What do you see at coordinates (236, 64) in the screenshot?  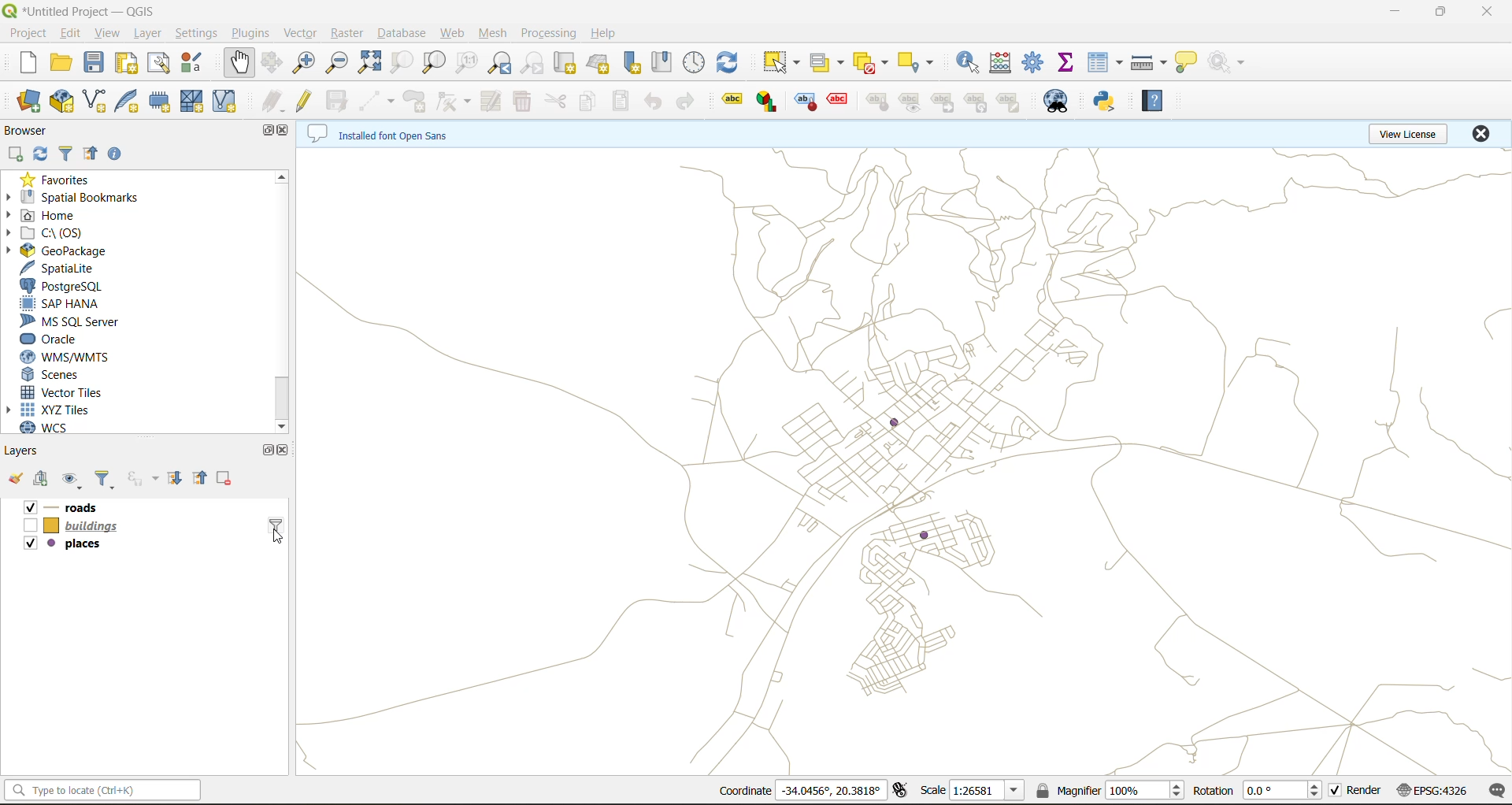 I see `pan map` at bounding box center [236, 64].